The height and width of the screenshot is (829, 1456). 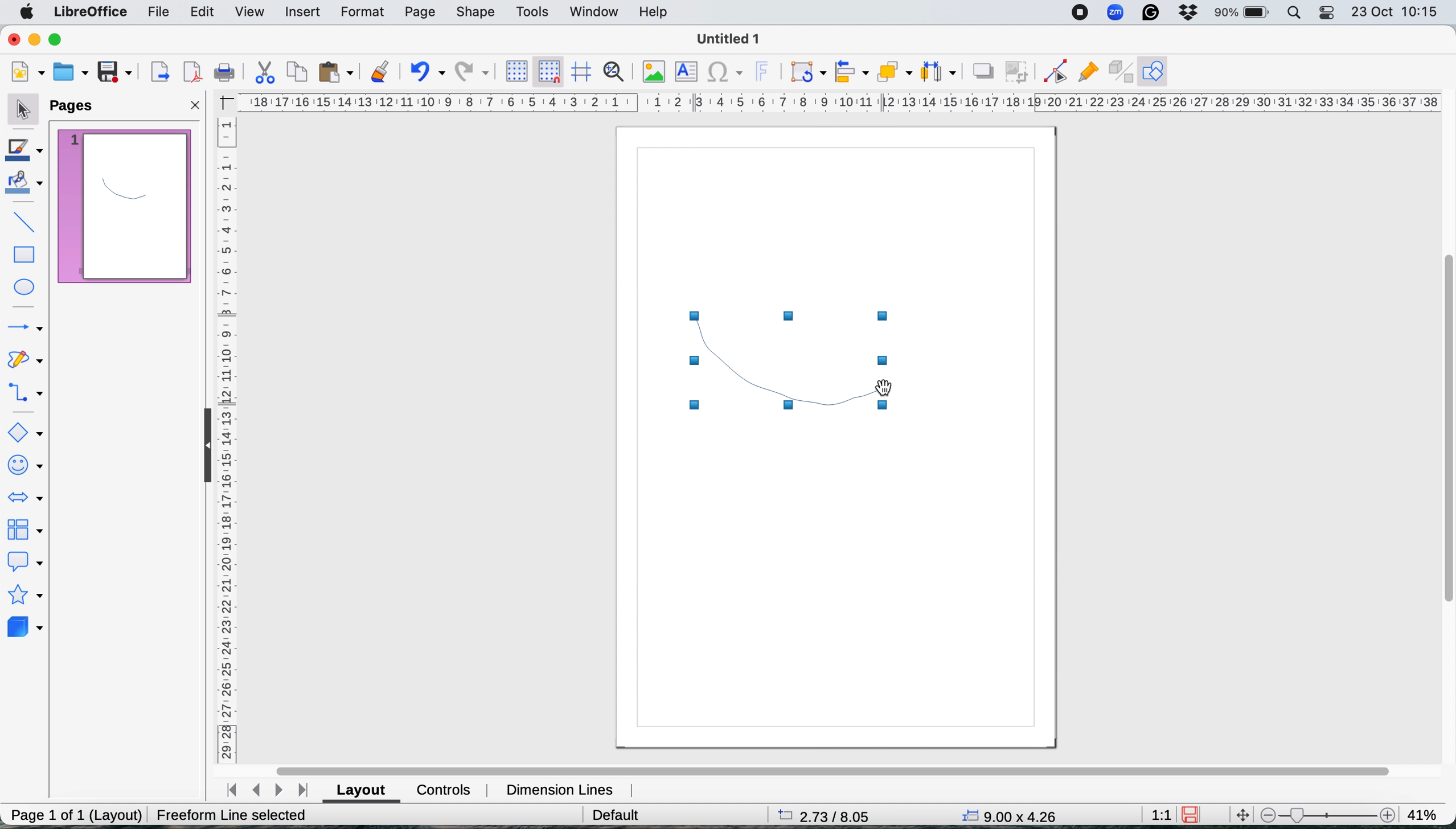 I want to click on select atleast three objects to distribute, so click(x=938, y=72).